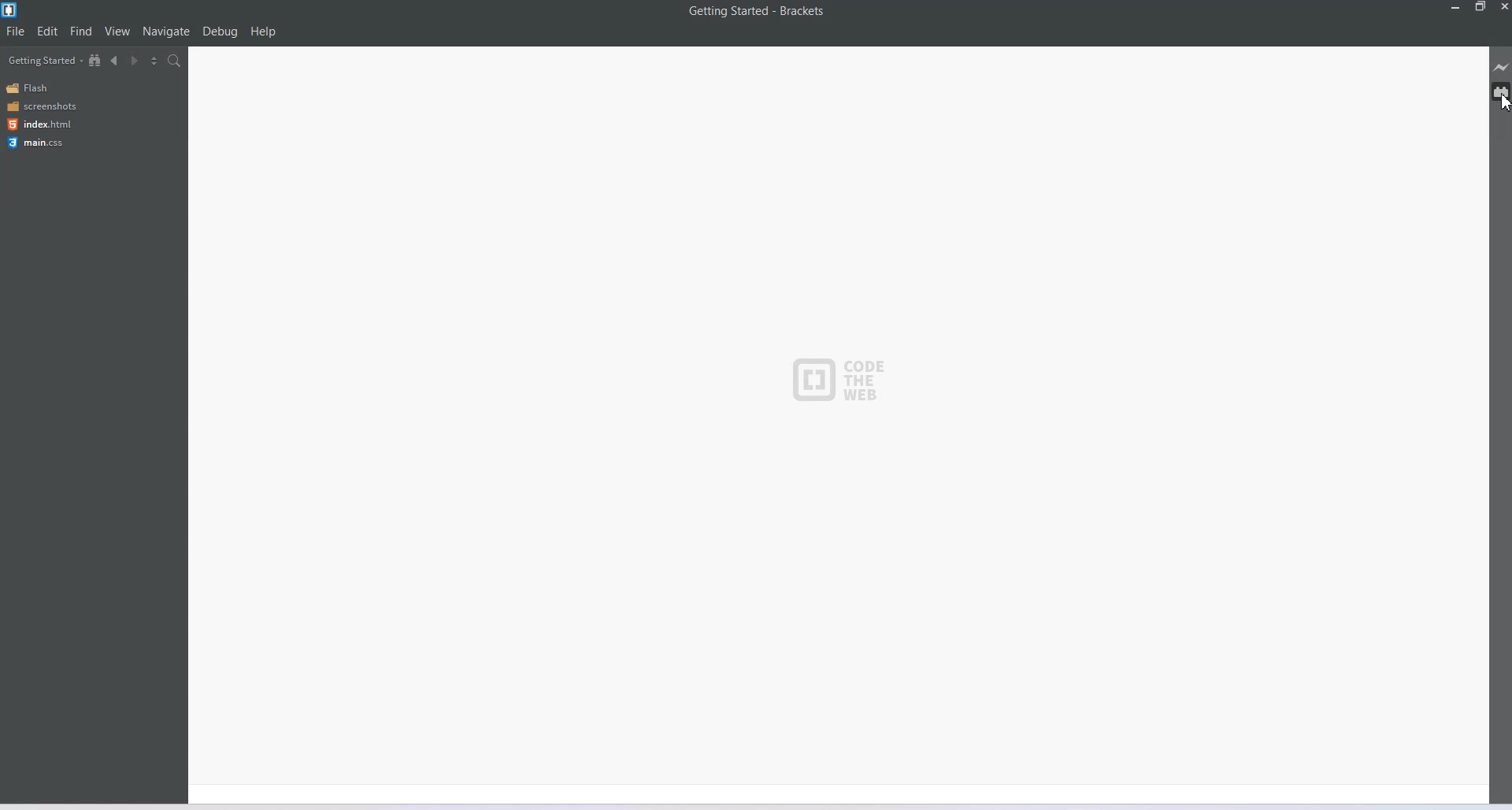 This screenshot has width=1512, height=810. What do you see at coordinates (263, 32) in the screenshot?
I see `Help` at bounding box center [263, 32].